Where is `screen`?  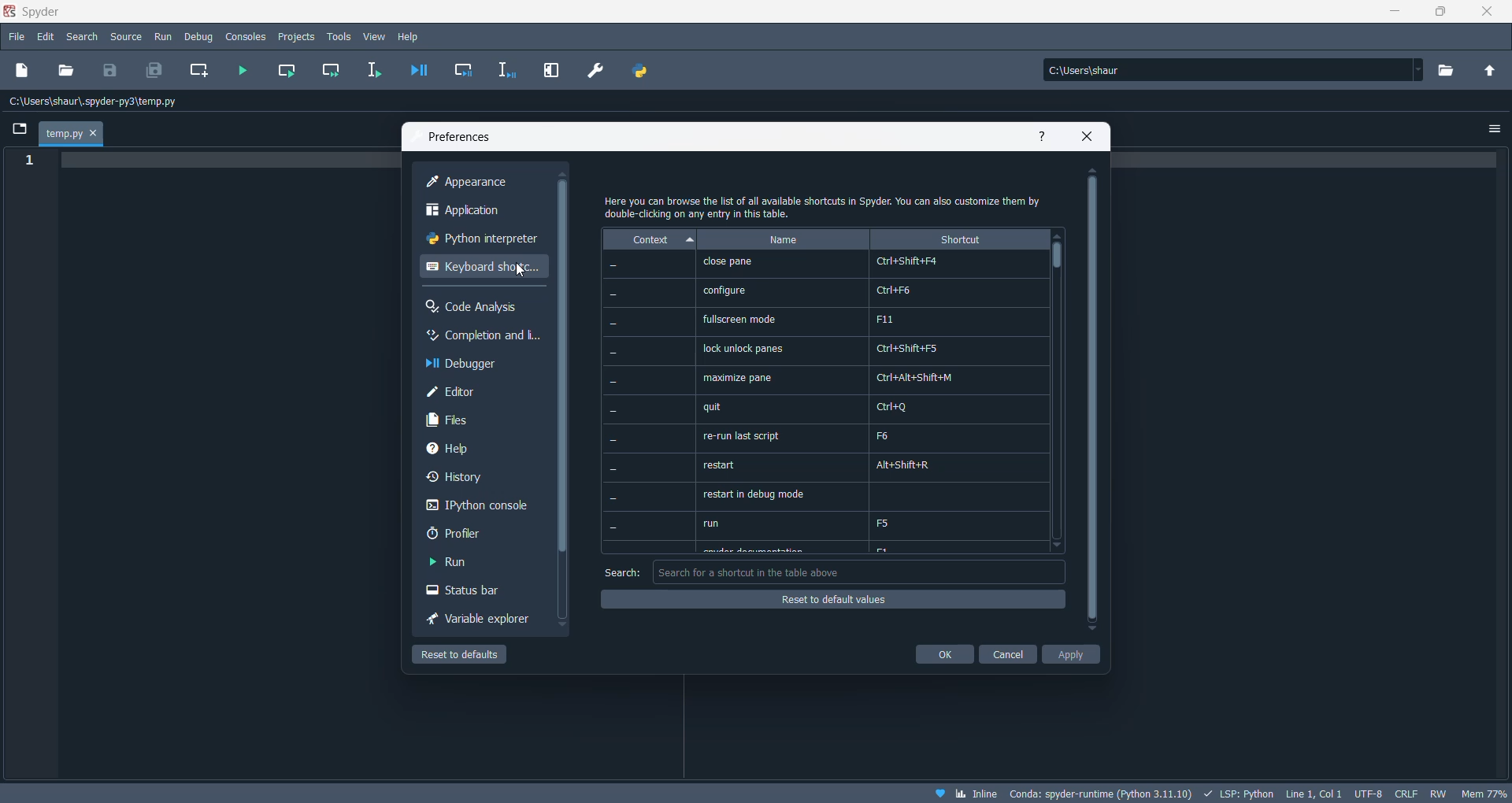
screen is located at coordinates (17, 128).